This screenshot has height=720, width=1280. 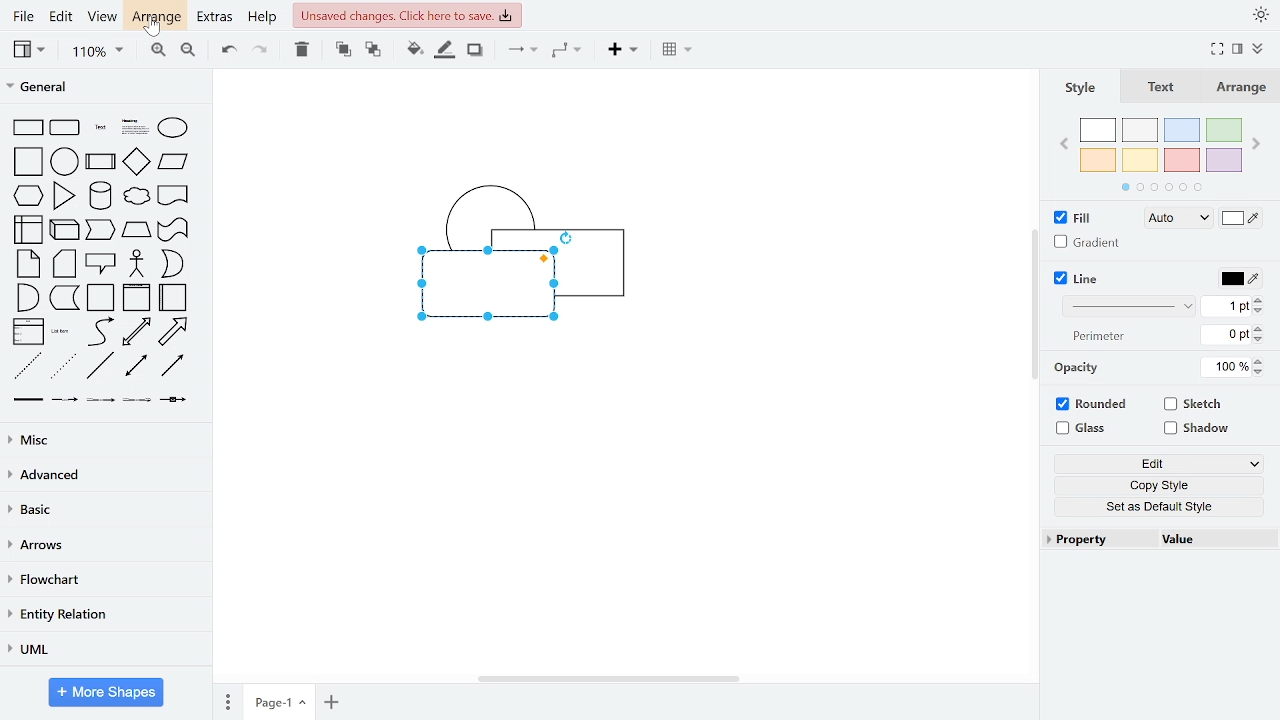 I want to click on view, so click(x=102, y=17).